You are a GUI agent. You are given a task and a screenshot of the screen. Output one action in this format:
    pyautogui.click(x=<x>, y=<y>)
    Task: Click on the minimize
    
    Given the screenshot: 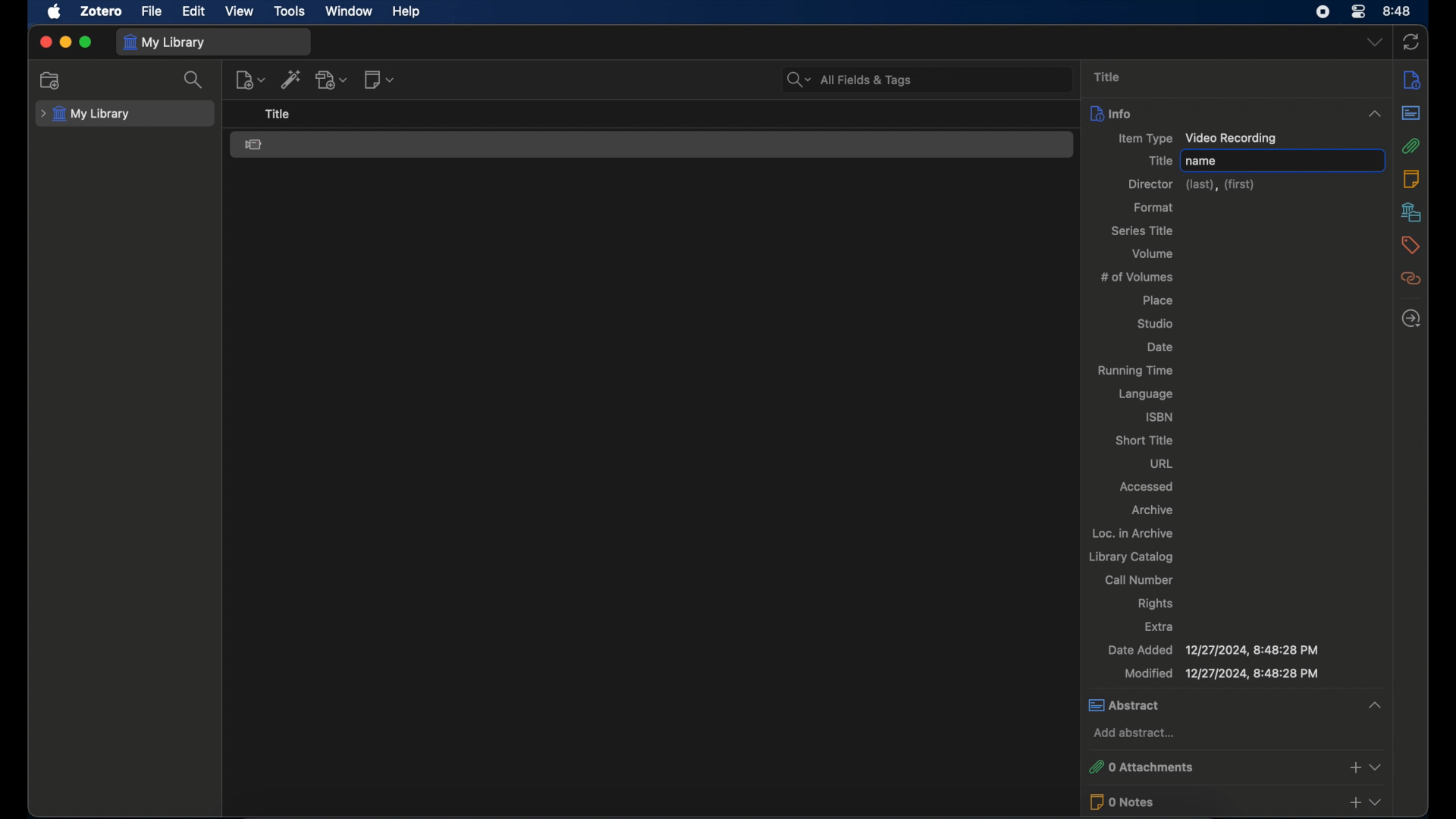 What is the action you would take?
    pyautogui.click(x=65, y=42)
    